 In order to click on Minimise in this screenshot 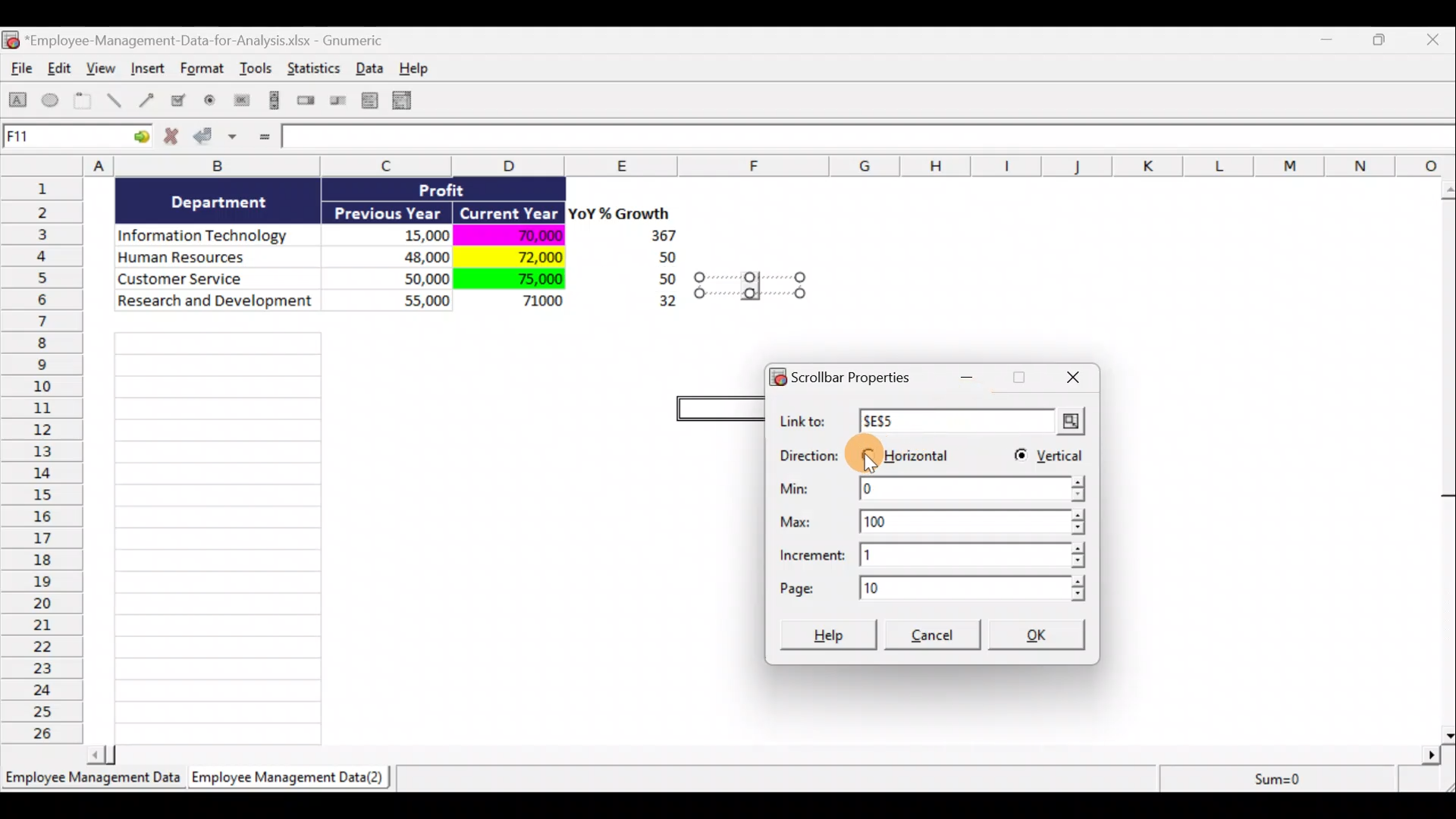, I will do `click(1330, 42)`.